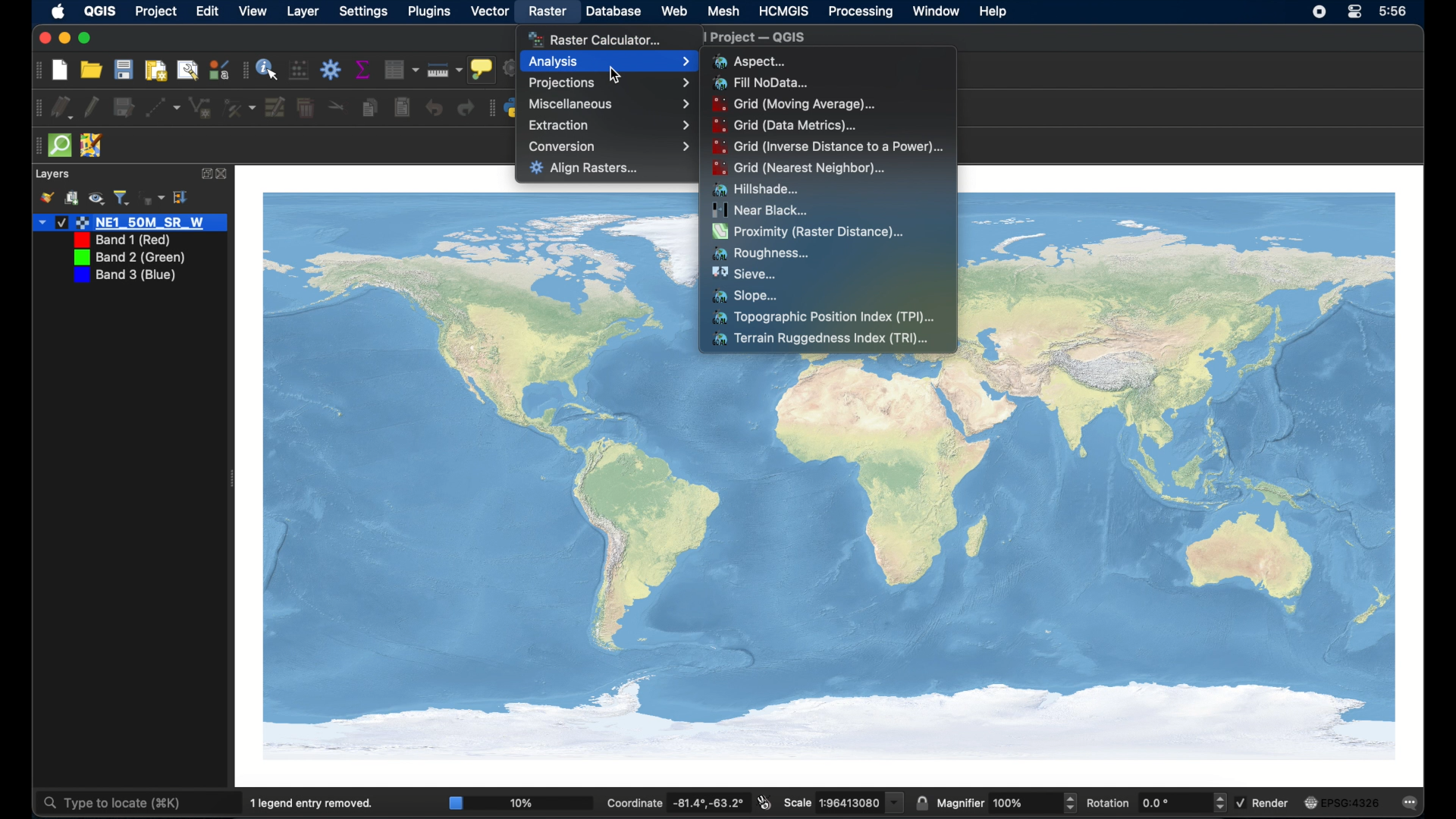 Image resolution: width=1456 pixels, height=819 pixels. Describe the element at coordinates (921, 804) in the screenshot. I see `lock scale` at that location.